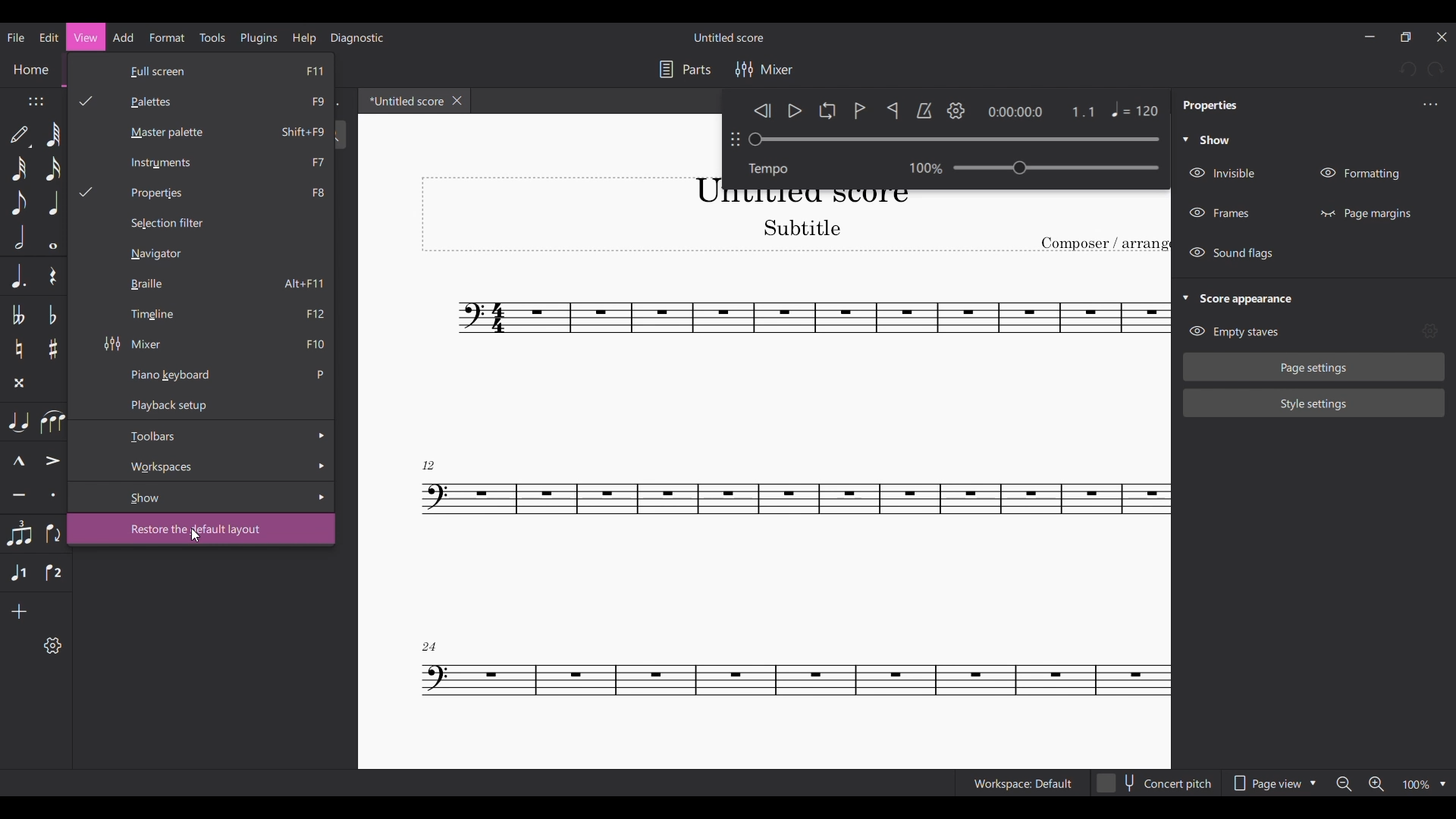 This screenshot has width=1456, height=819. I want to click on Toggle double flat, so click(18, 315).